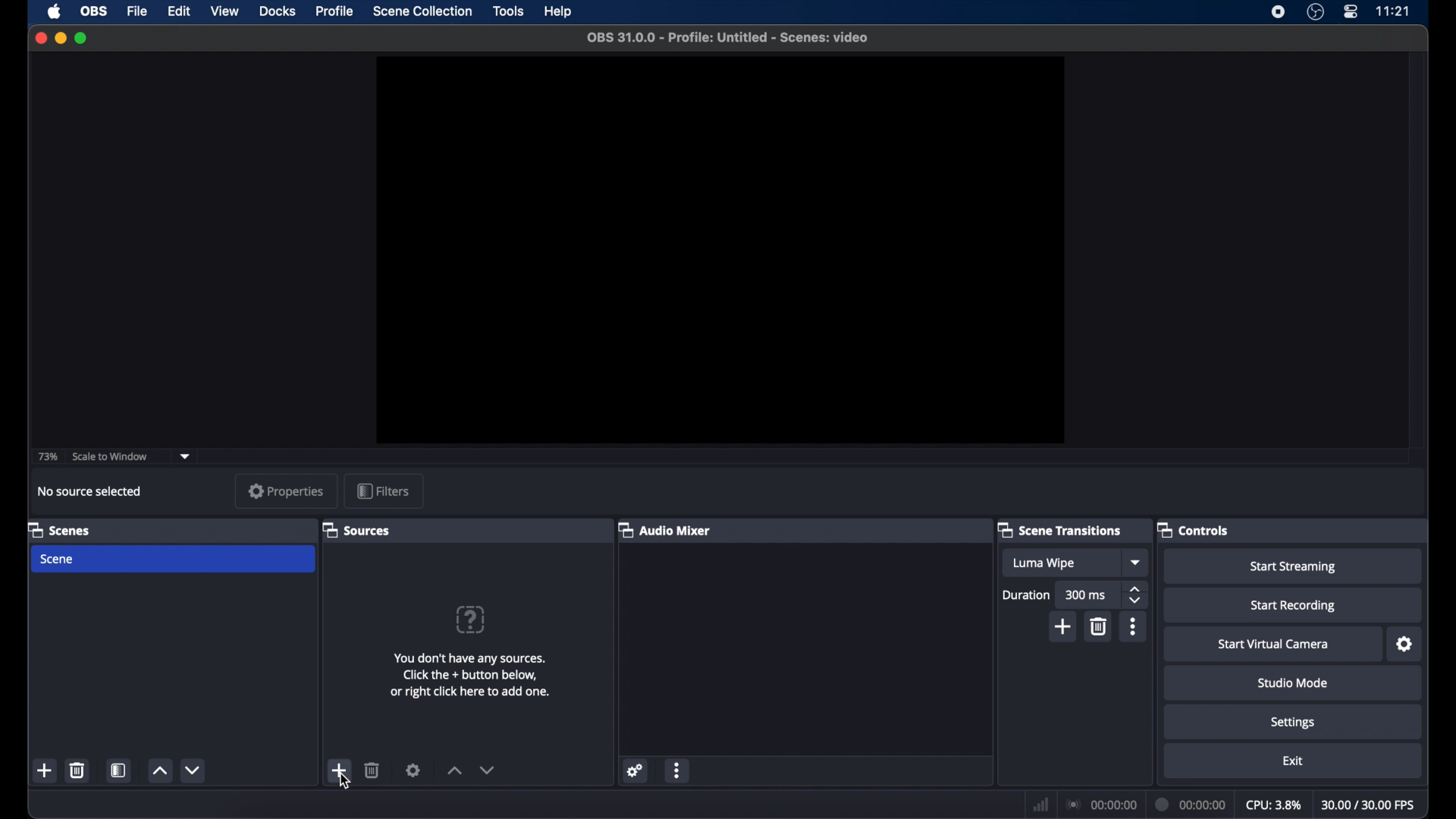  What do you see at coordinates (120, 770) in the screenshot?
I see `scene filters` at bounding box center [120, 770].